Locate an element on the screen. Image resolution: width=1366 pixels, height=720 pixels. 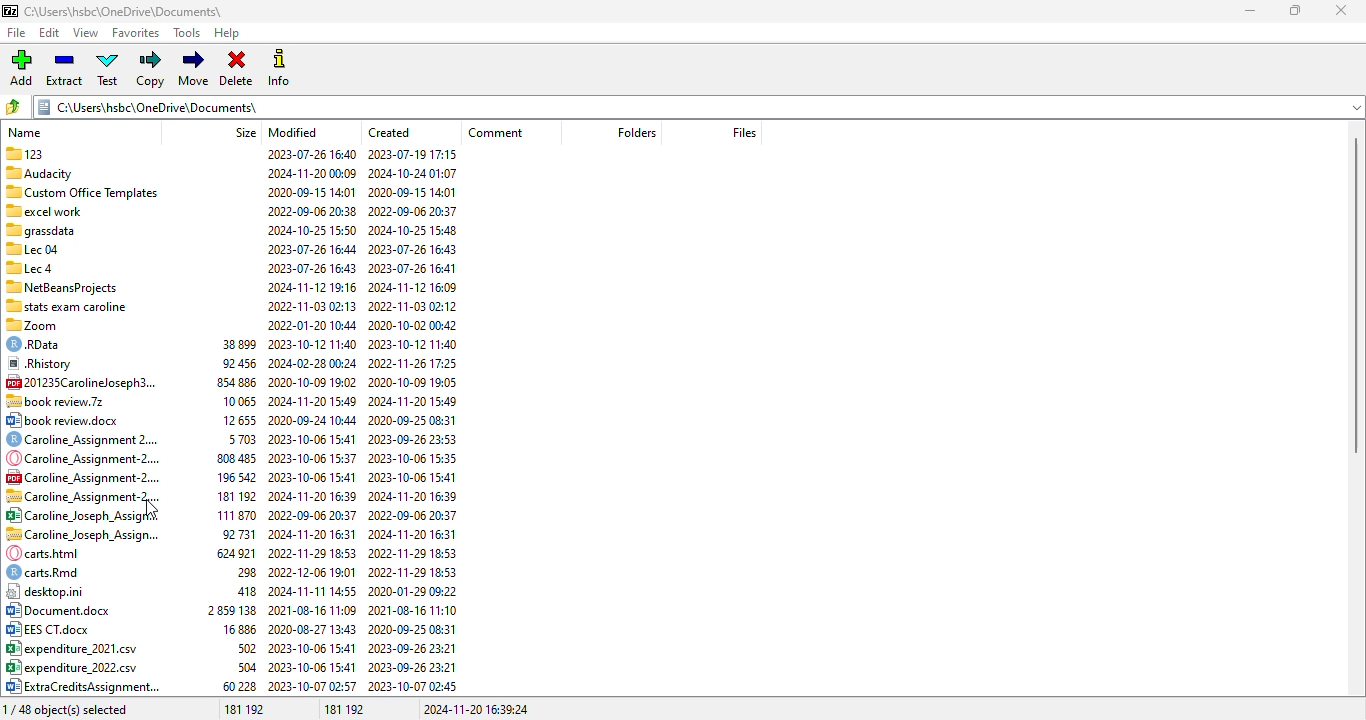
Document.docx: 2859138 2021-08-16 11:09 2021-08-16 11:10 is located at coordinates (232, 611).